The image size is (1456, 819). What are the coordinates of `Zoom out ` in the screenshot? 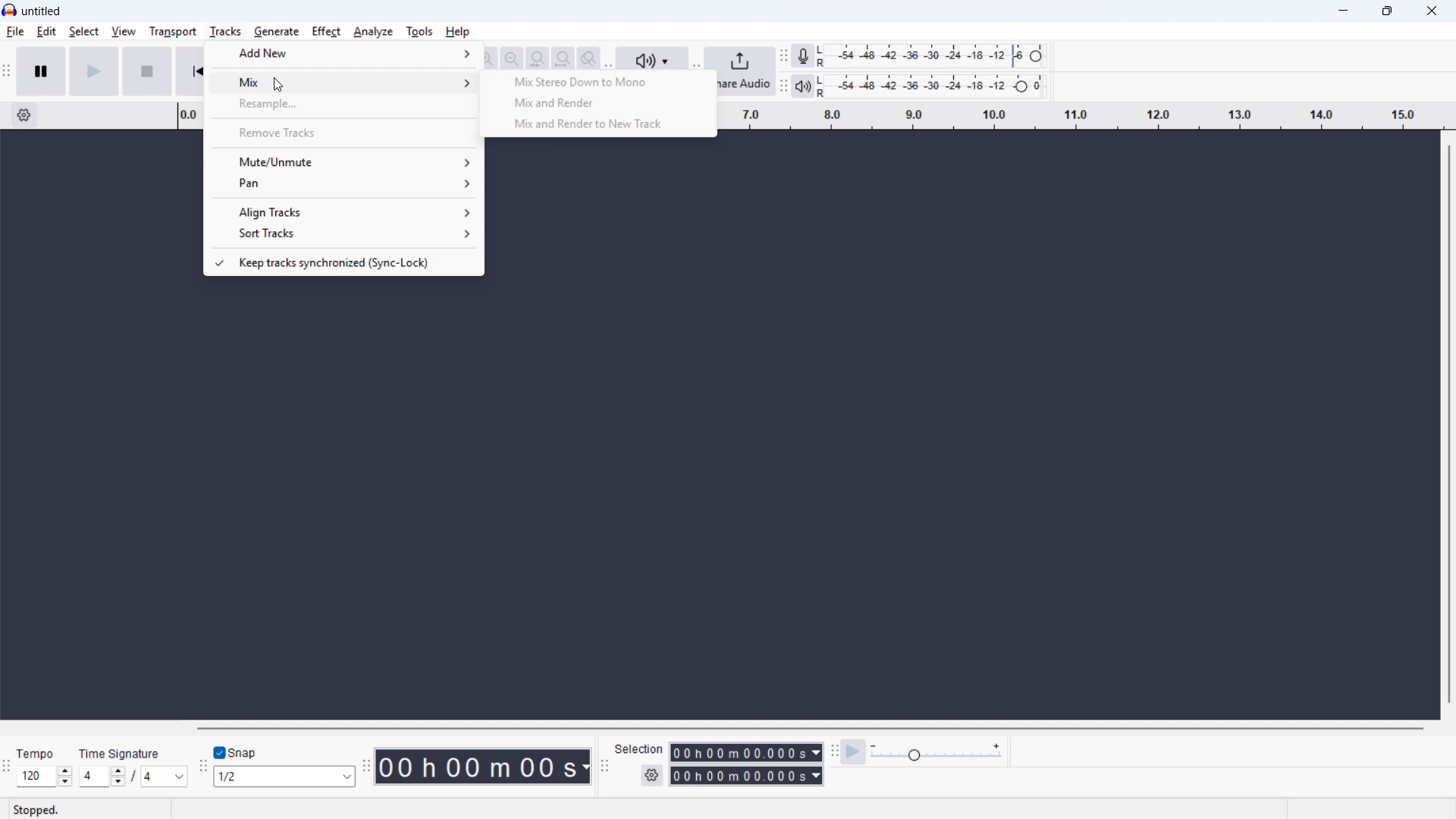 It's located at (512, 58).